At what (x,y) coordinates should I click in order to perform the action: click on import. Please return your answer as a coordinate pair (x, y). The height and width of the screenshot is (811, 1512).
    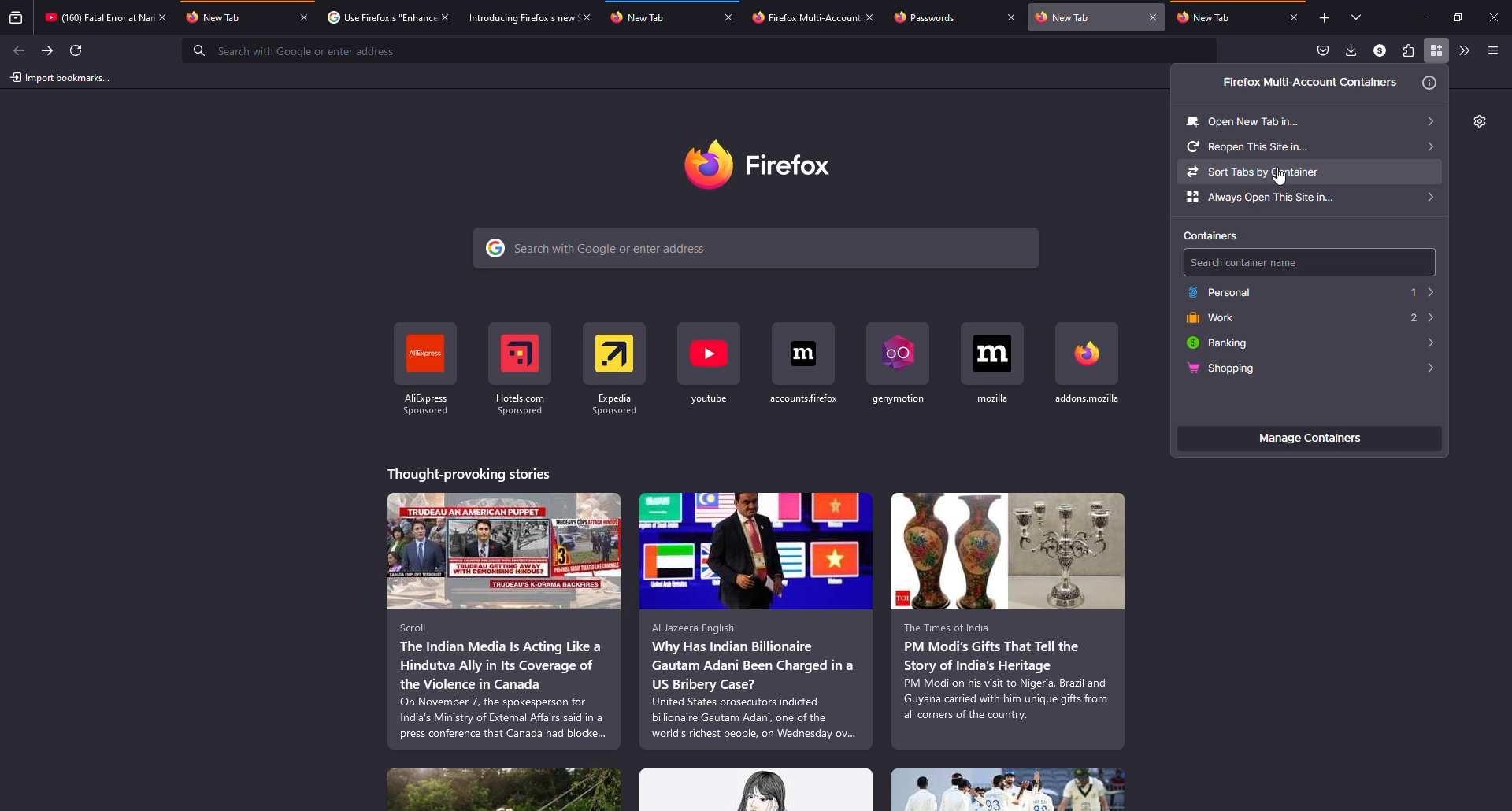
    Looking at the image, I should click on (61, 78).